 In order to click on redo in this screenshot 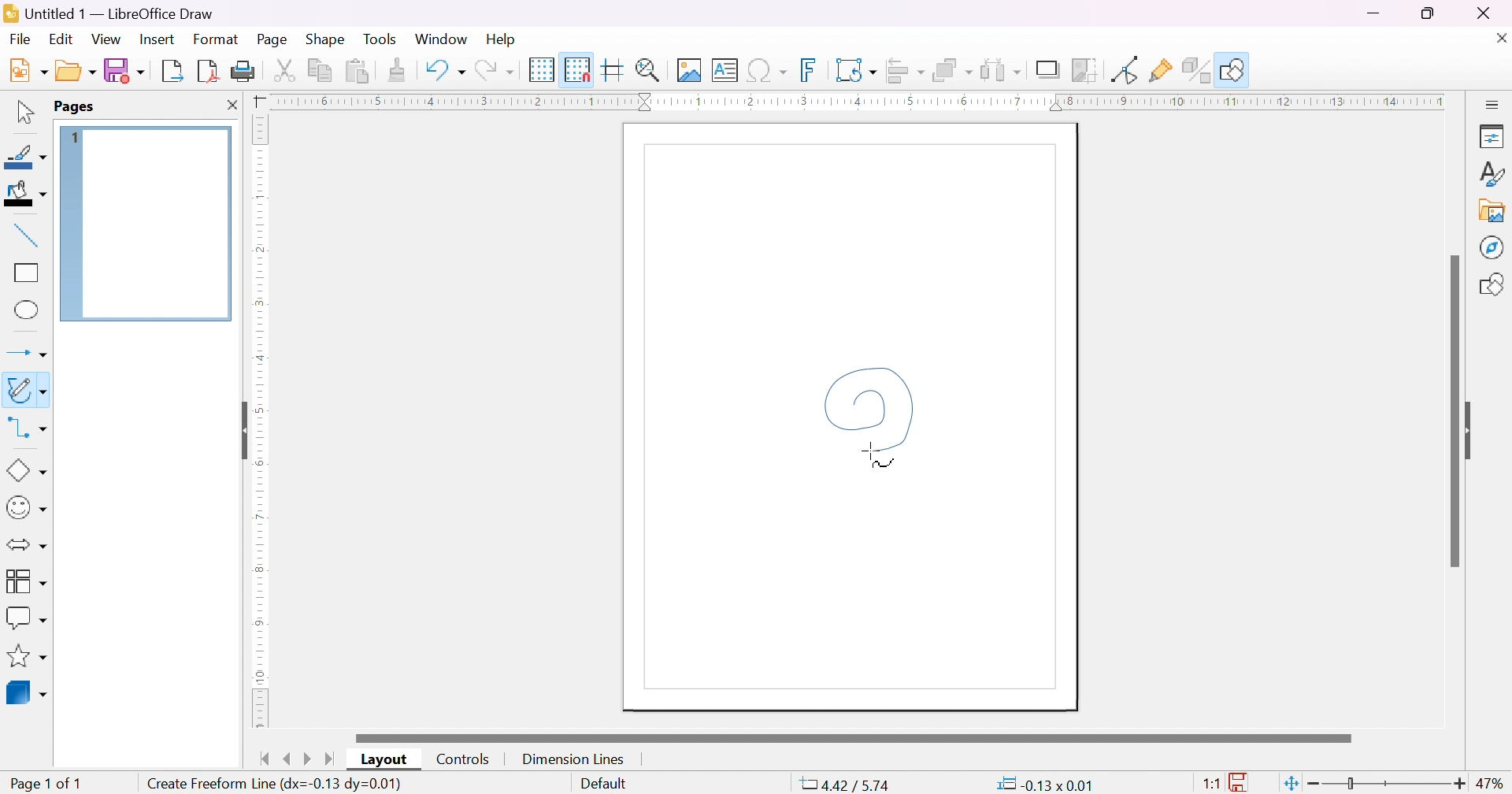, I will do `click(492, 70)`.